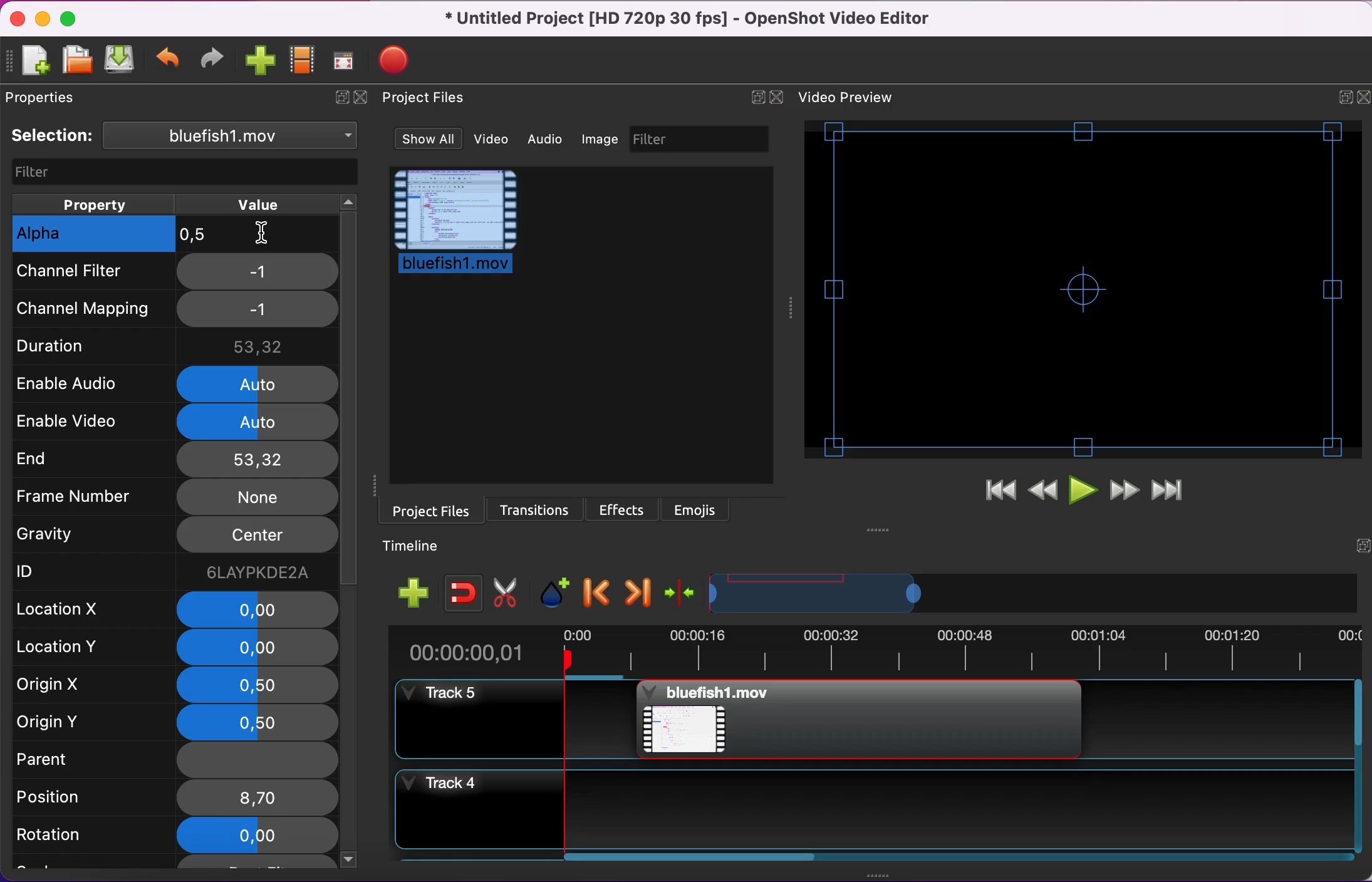 The image size is (1372, 882). What do you see at coordinates (341, 97) in the screenshot?
I see `expand/hide` at bounding box center [341, 97].